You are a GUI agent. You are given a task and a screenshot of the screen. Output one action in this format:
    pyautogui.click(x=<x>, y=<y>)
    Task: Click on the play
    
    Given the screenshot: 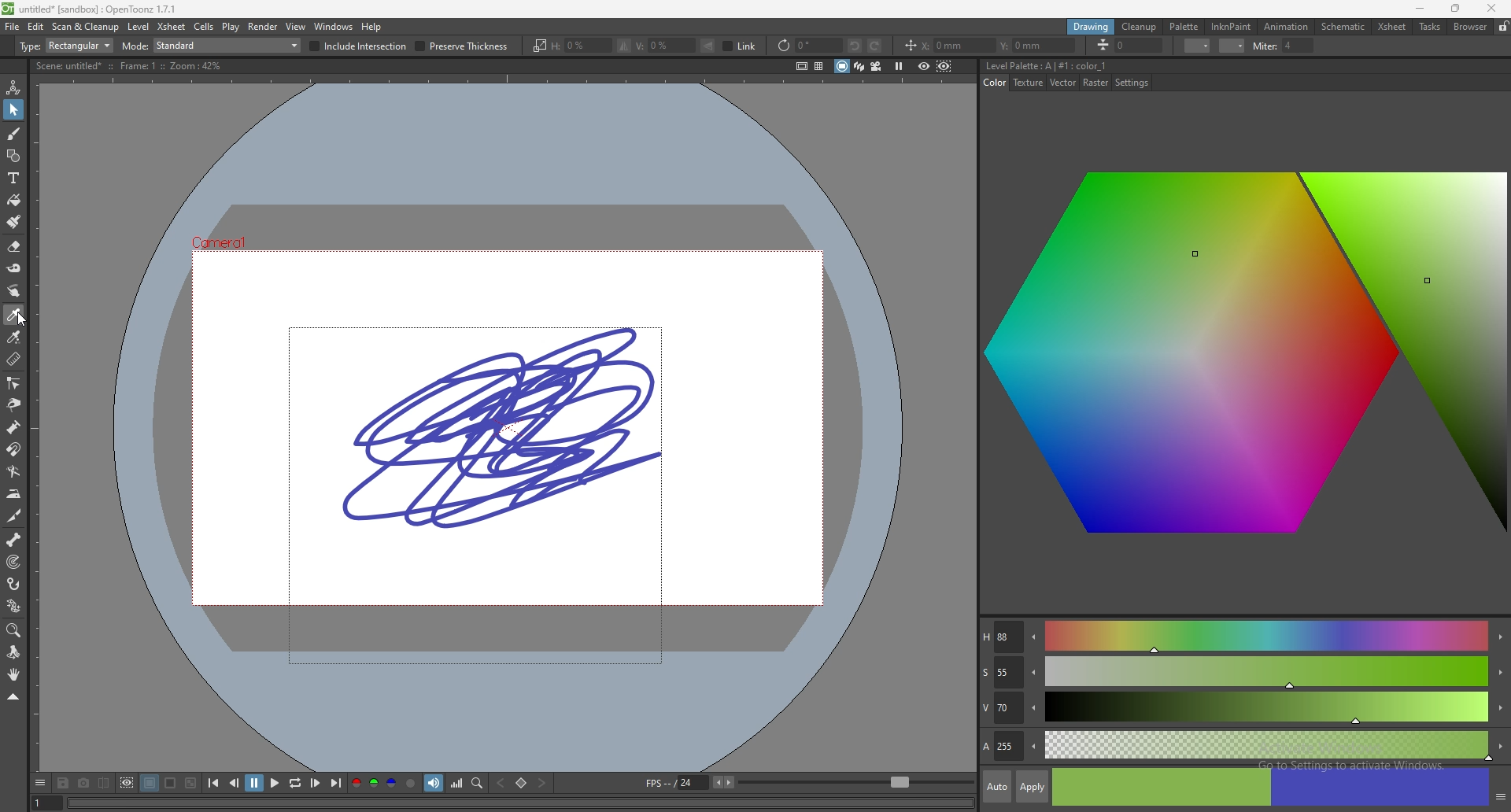 What is the action you would take?
    pyautogui.click(x=230, y=28)
    